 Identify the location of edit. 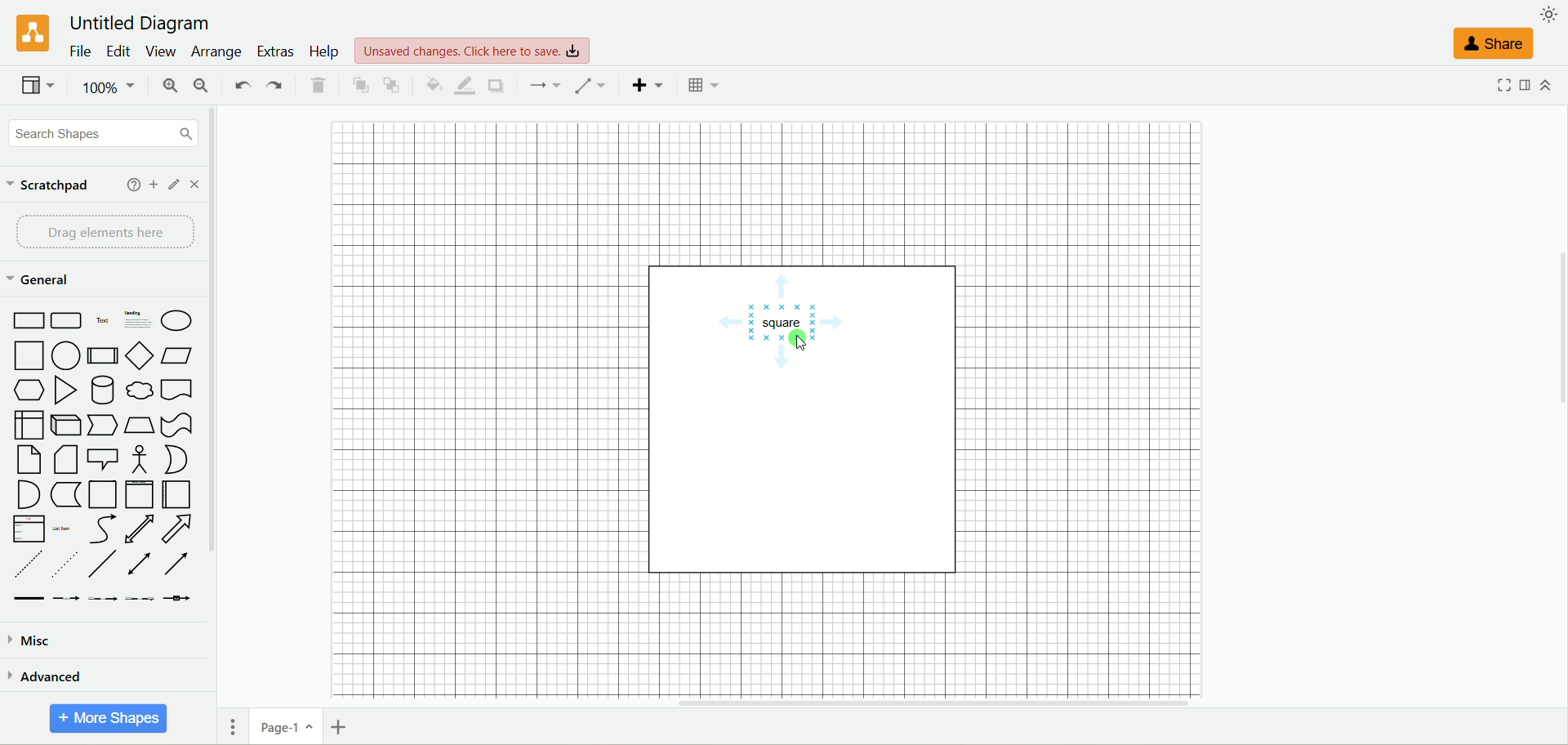
(173, 185).